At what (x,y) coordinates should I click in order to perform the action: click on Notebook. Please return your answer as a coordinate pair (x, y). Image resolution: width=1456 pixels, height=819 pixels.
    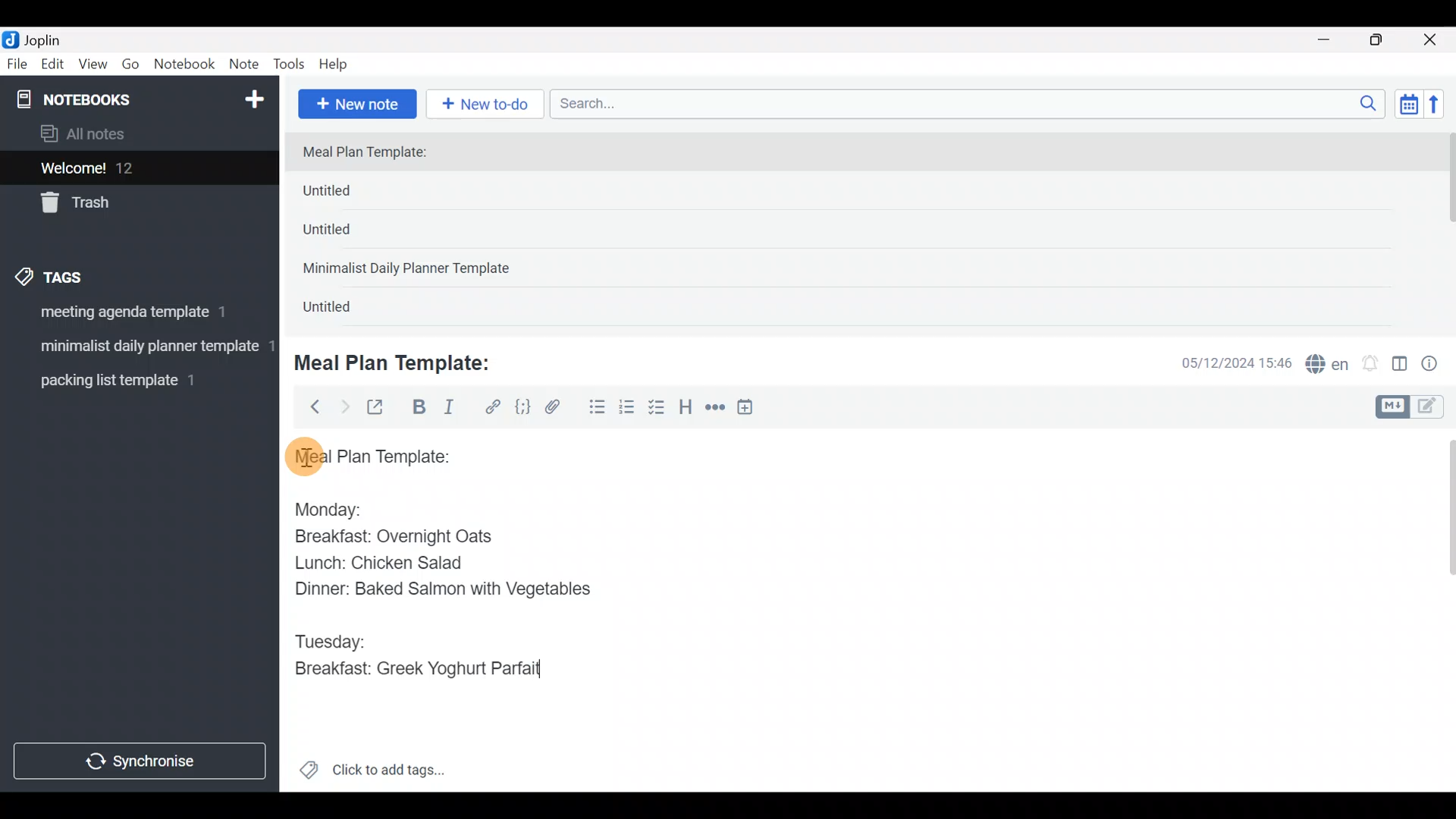
    Looking at the image, I should click on (185, 64).